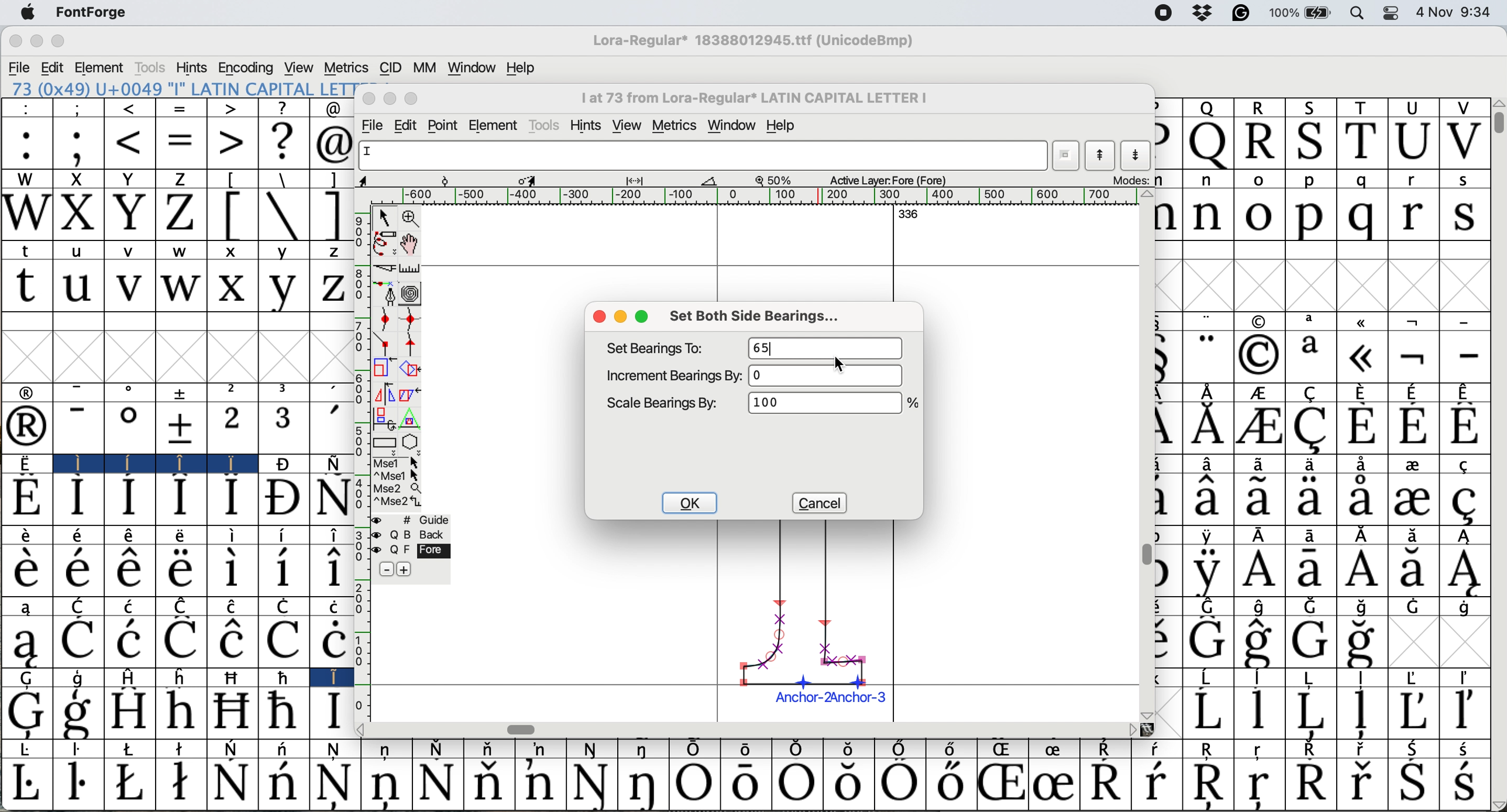  What do you see at coordinates (793, 785) in the screenshot?
I see `Symbol` at bounding box center [793, 785].